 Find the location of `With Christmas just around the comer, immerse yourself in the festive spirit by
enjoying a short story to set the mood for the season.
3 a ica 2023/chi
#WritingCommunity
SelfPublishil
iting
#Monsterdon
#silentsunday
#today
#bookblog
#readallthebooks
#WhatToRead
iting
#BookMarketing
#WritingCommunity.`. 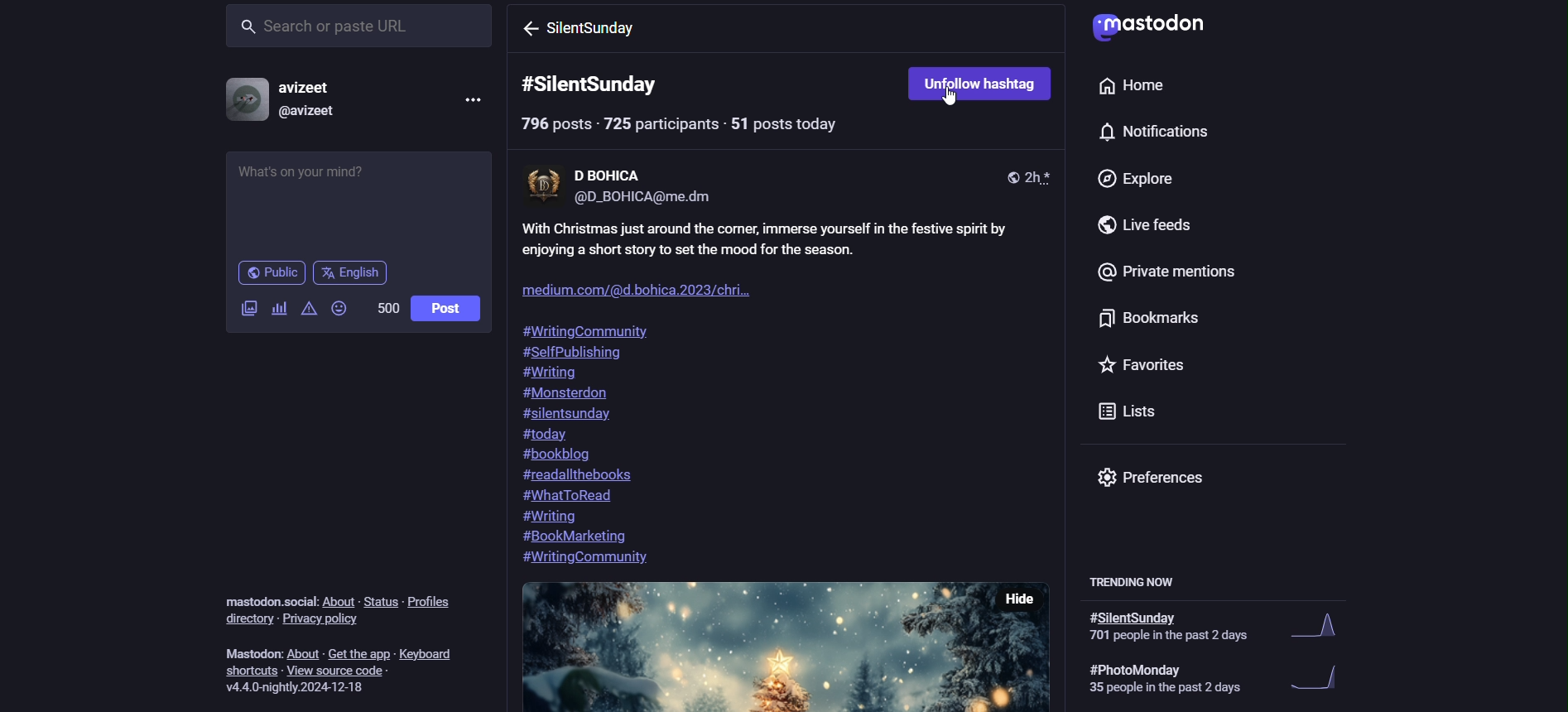

With Christmas just around the comer, immerse yourself in the festive spirit by
enjoying a short story to set the mood for the season.
3 a ica 2023/chi
#WritingCommunity
SelfPublishil
iting
#Monsterdon
#silentsunday
#today
#bookblog
#readallthebooks
#WhatToRead
iting
#BookMarketing
#WritingCommunity. is located at coordinates (781, 393).